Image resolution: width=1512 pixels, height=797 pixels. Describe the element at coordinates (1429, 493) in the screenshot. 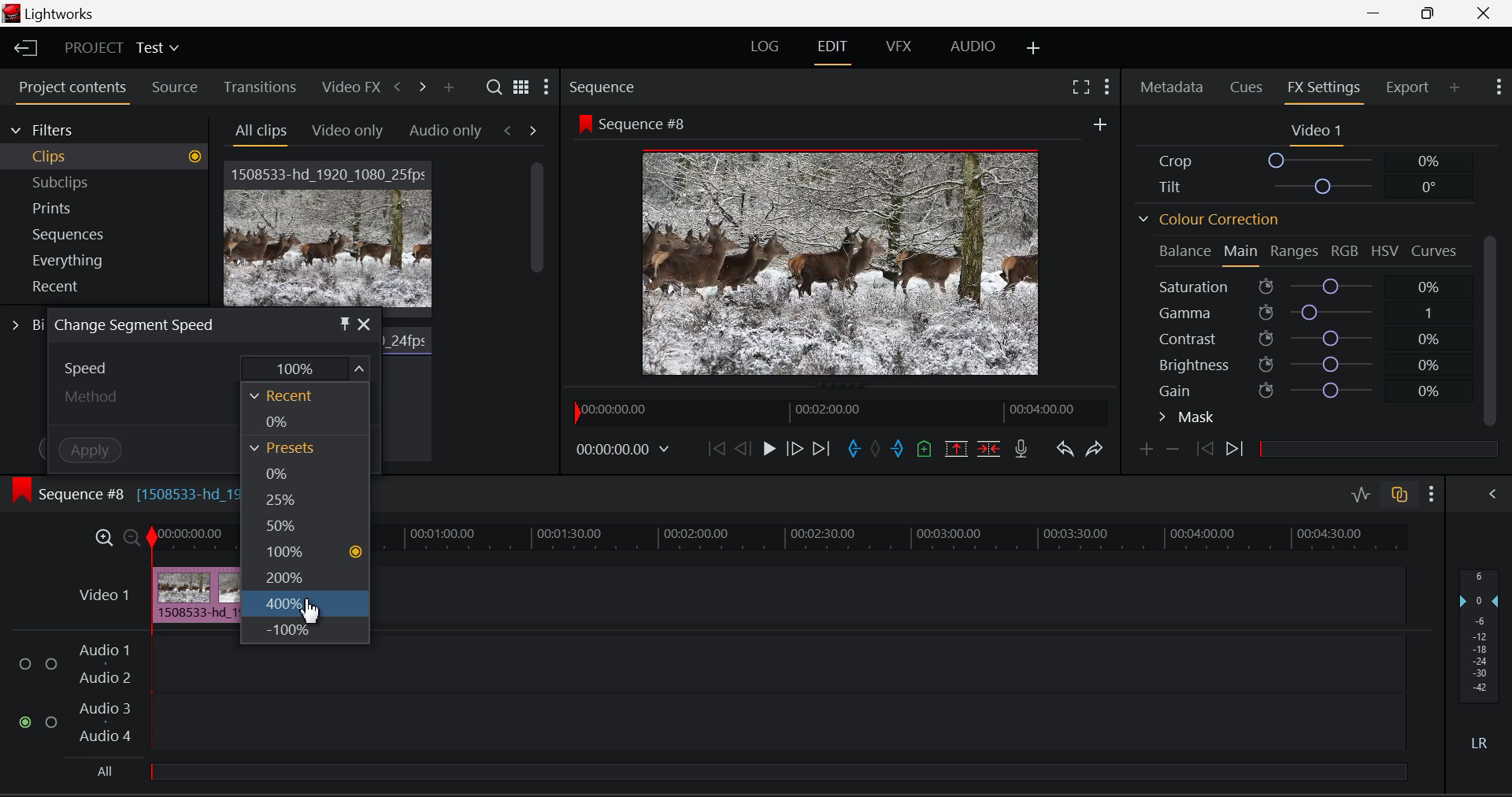

I see `Show Settings` at that location.